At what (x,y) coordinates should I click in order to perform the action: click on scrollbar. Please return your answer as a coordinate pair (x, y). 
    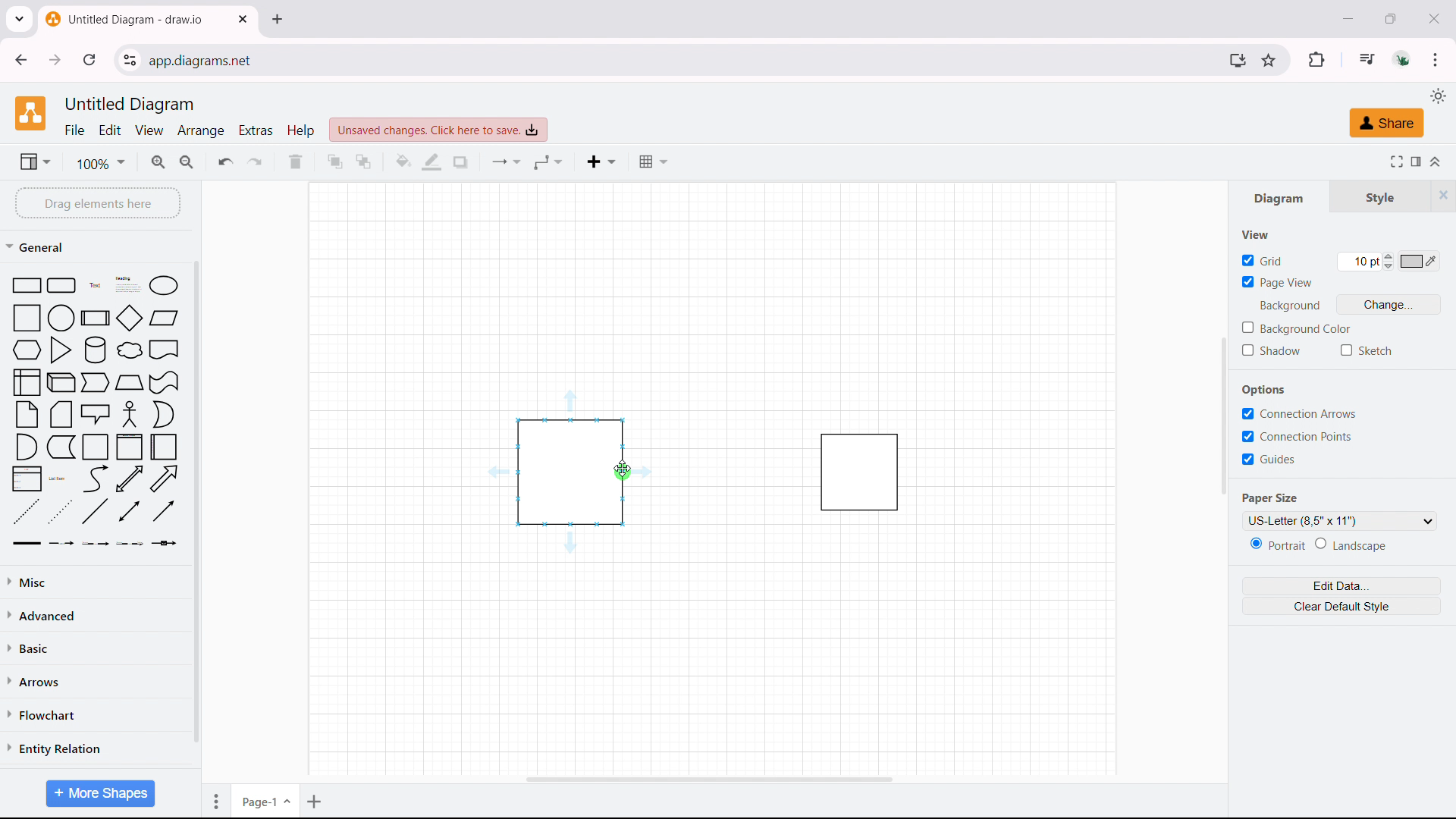
    Looking at the image, I should click on (196, 504).